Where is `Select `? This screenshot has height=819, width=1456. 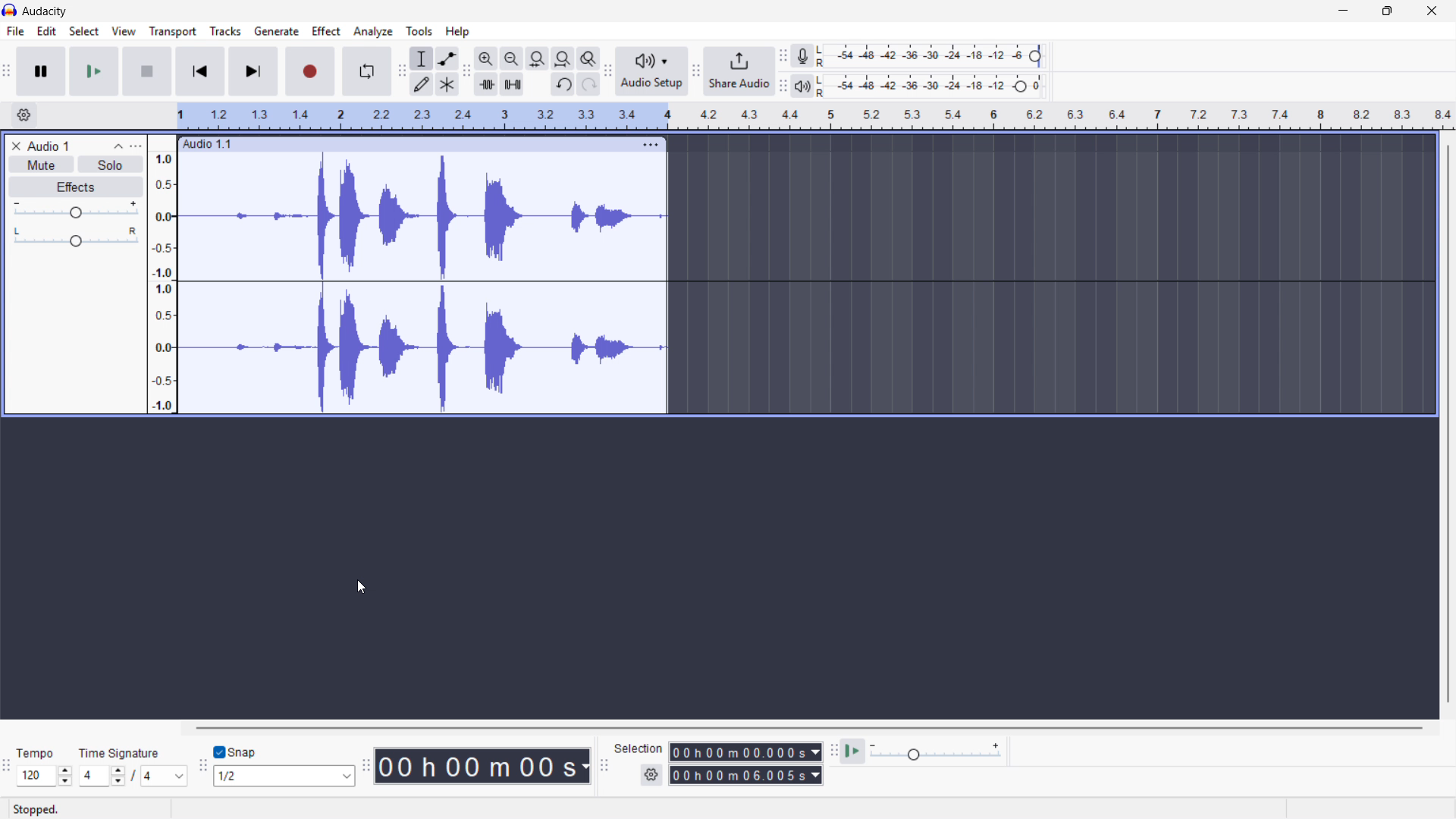
Select  is located at coordinates (83, 32).